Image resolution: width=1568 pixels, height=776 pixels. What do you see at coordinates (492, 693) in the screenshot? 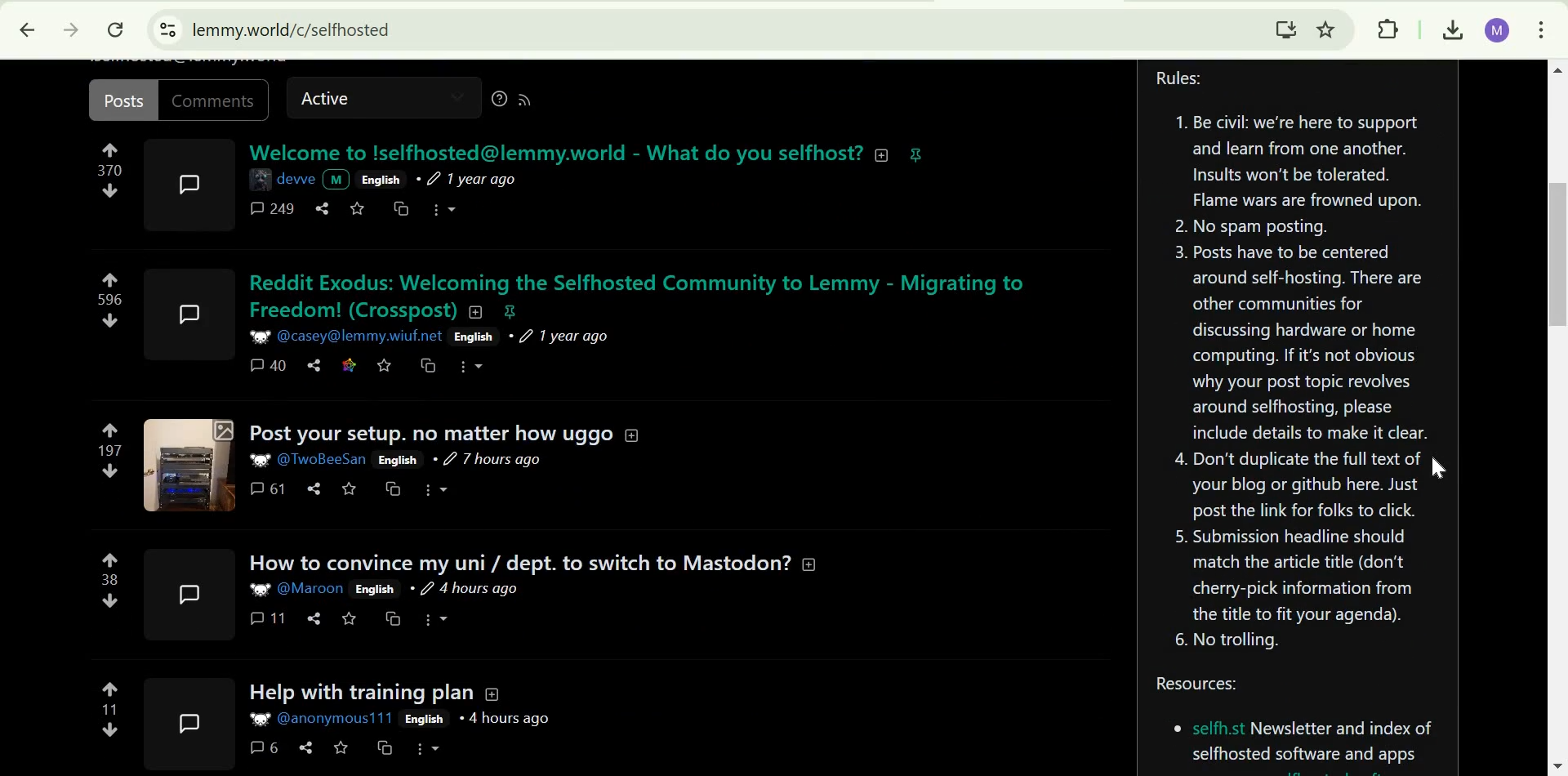
I see `Collapse` at bounding box center [492, 693].